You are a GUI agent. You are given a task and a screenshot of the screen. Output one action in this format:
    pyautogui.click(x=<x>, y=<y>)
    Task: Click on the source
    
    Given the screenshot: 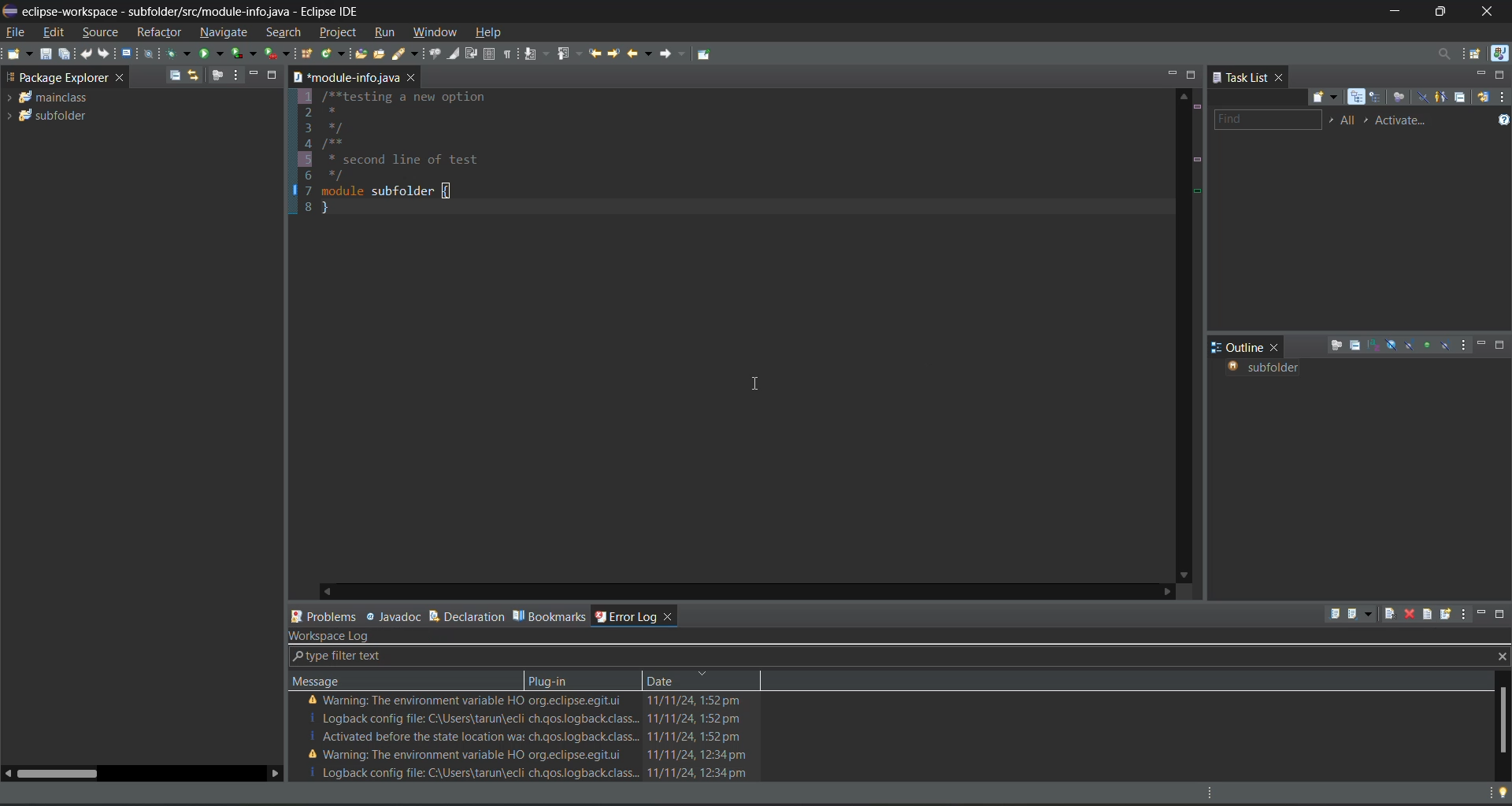 What is the action you would take?
    pyautogui.click(x=102, y=33)
    